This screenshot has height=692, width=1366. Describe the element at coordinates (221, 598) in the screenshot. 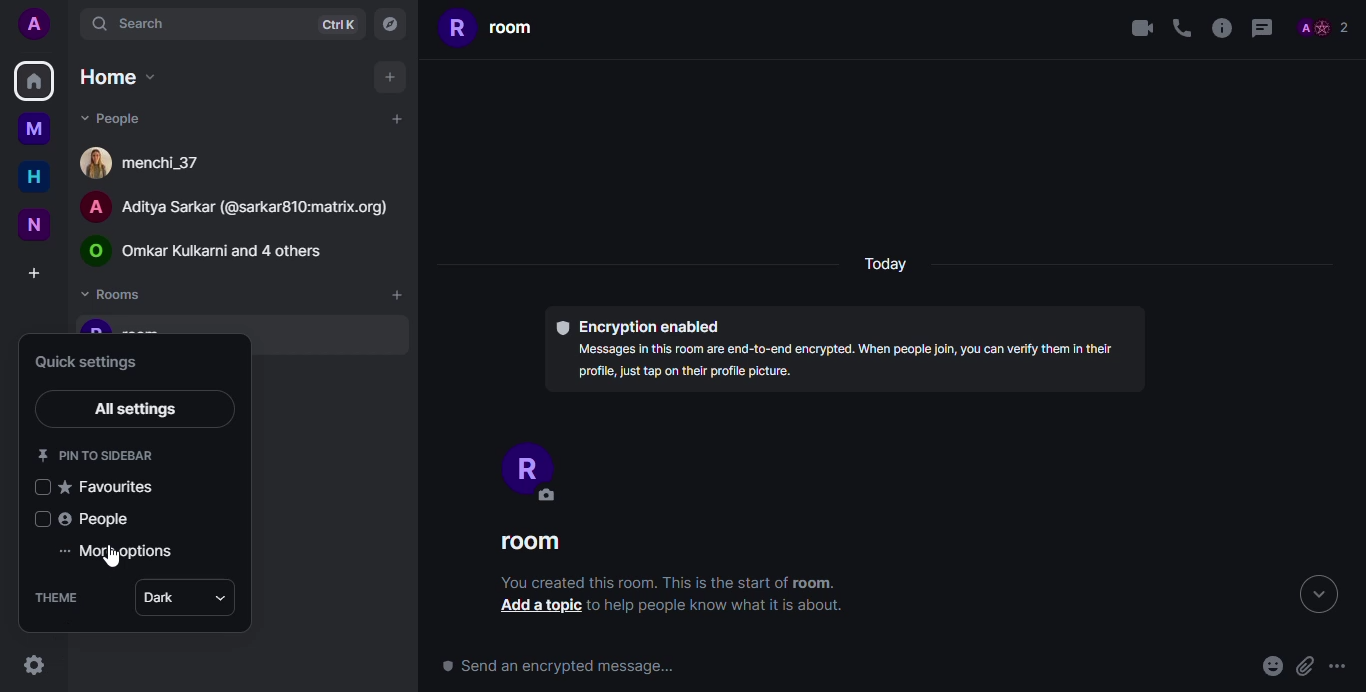

I see `drop down` at that location.